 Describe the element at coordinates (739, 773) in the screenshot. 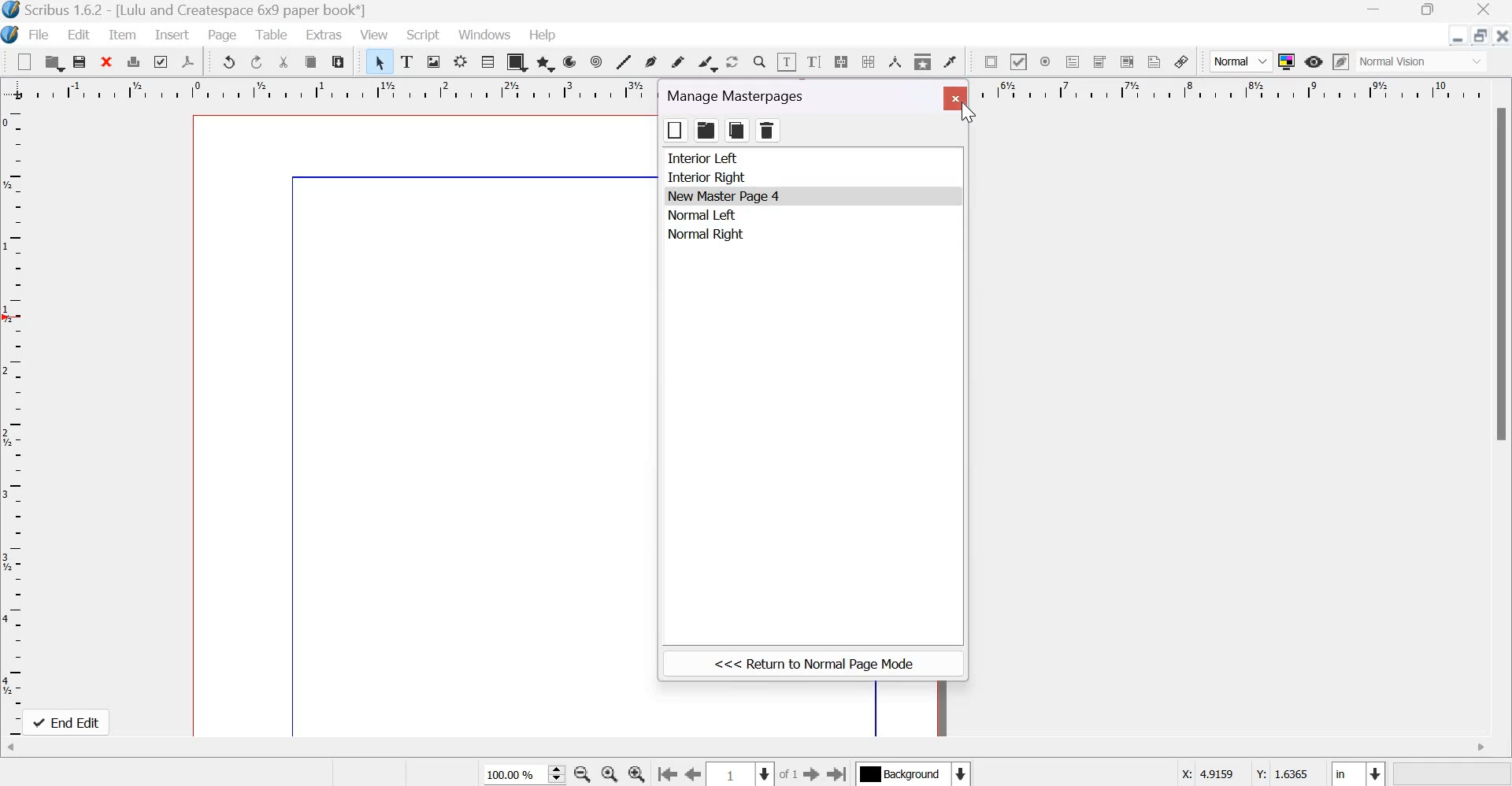

I see `Select the current page` at that location.